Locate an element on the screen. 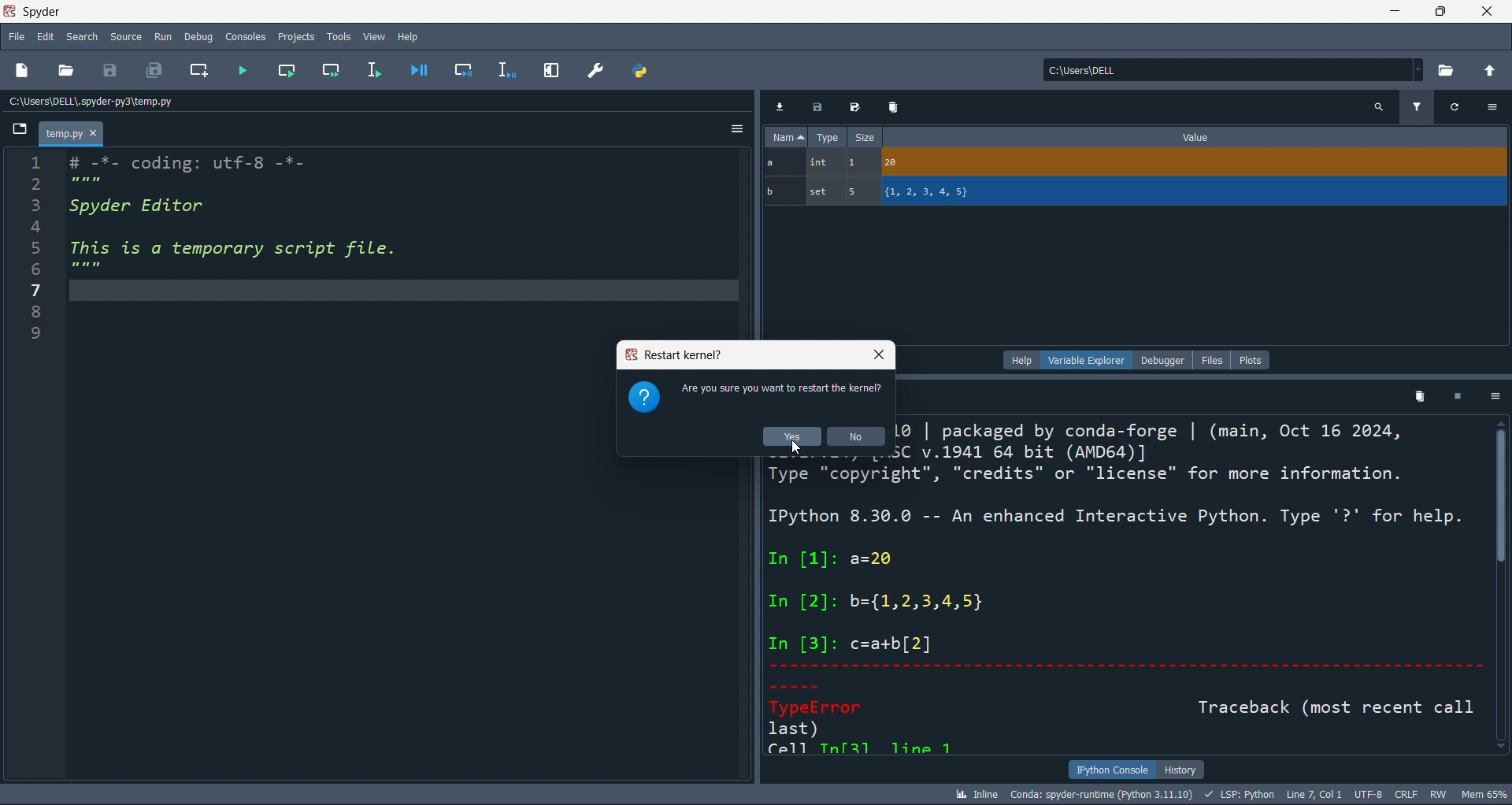  open directory is located at coordinates (1450, 72).